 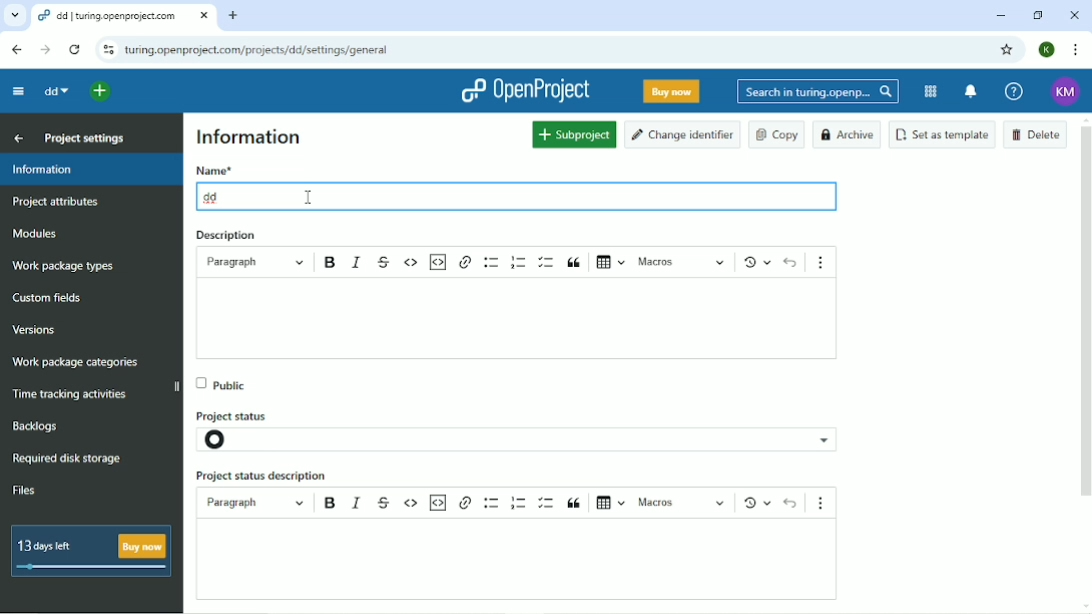 I want to click on Delete, so click(x=1036, y=134).